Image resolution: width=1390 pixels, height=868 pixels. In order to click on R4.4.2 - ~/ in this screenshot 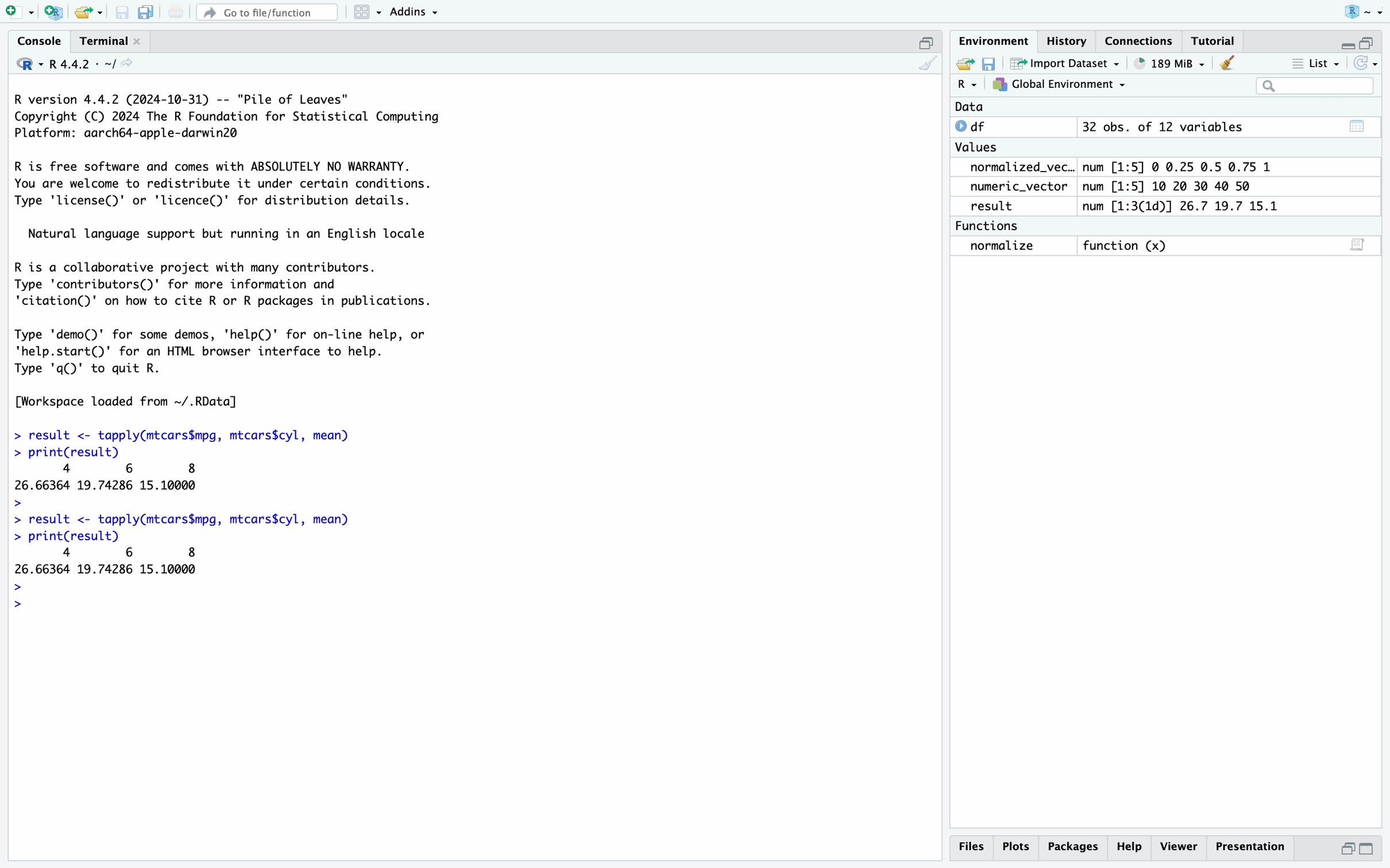, I will do `click(90, 64)`.